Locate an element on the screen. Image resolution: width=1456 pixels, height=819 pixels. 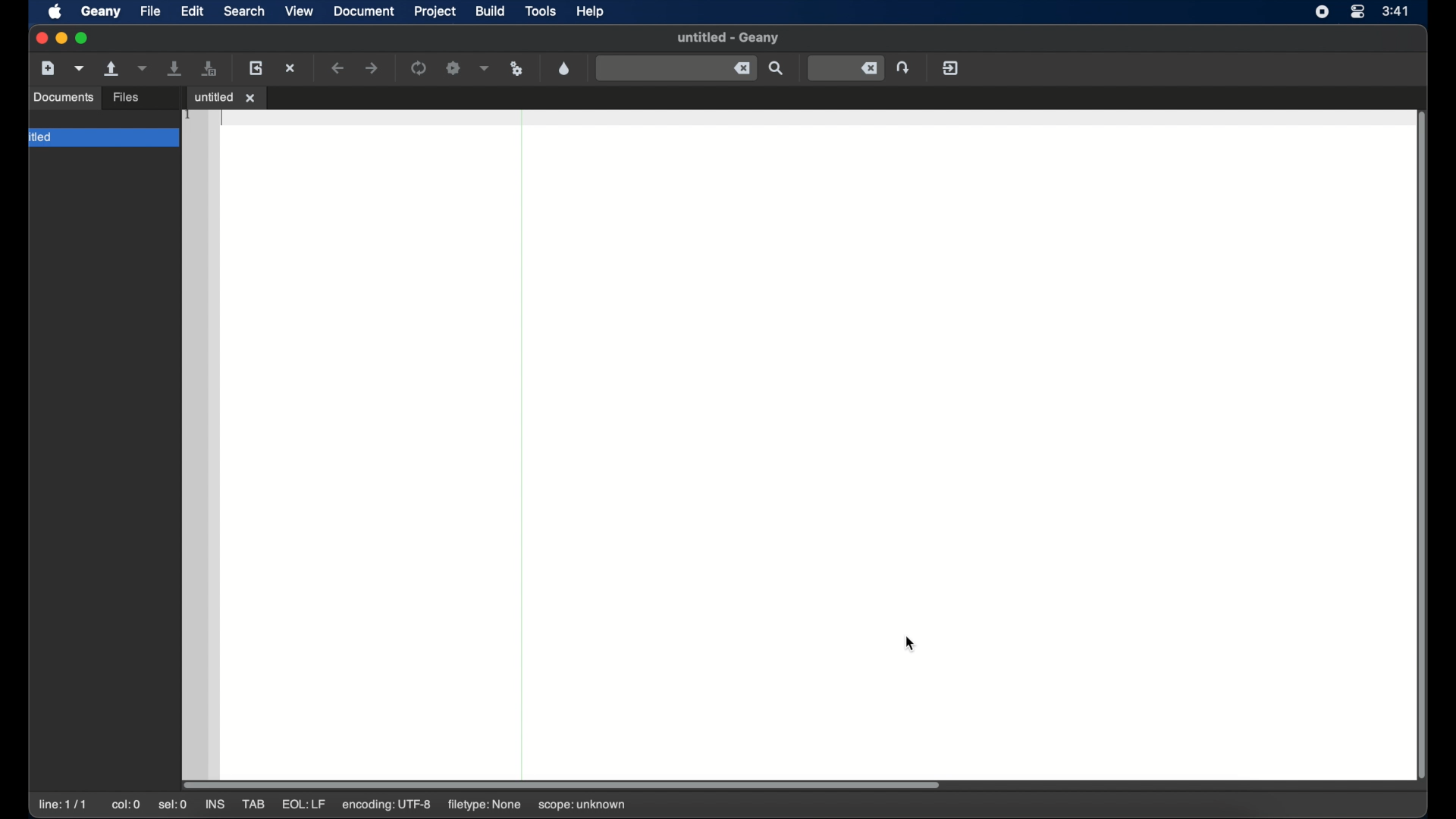
symbols is located at coordinates (50, 97).